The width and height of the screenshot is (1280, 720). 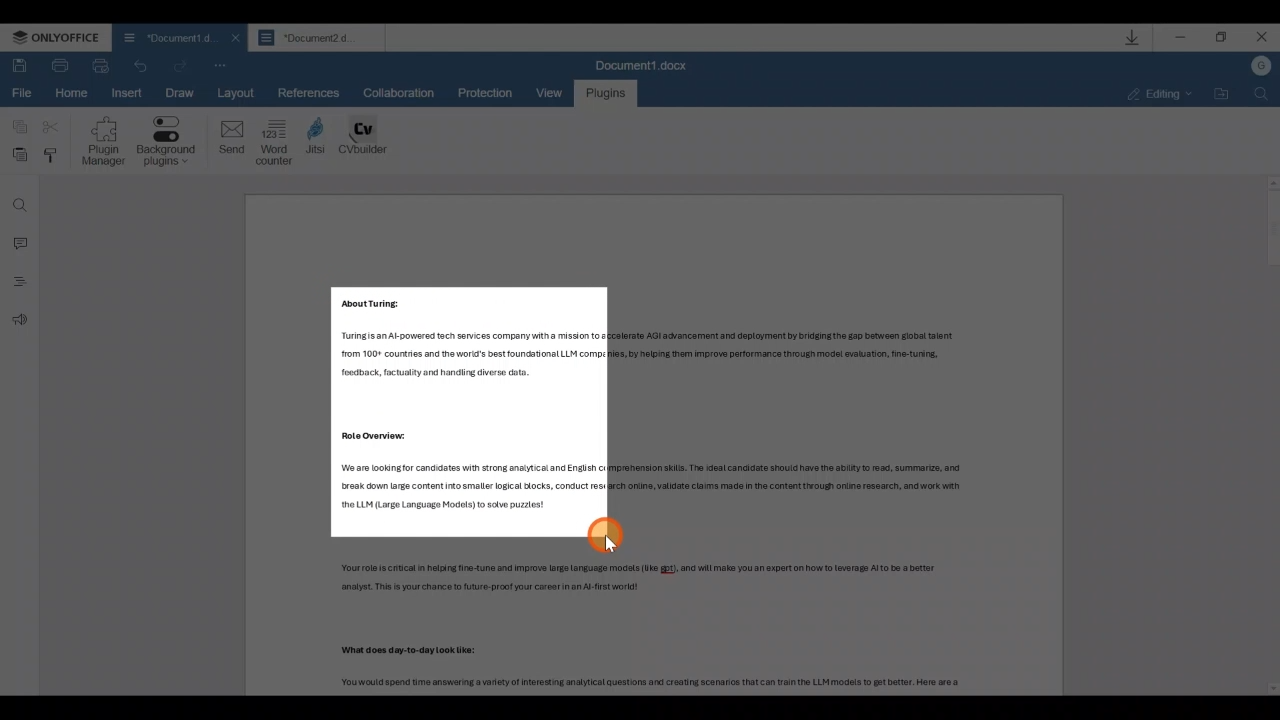 I want to click on Redo, so click(x=143, y=64).